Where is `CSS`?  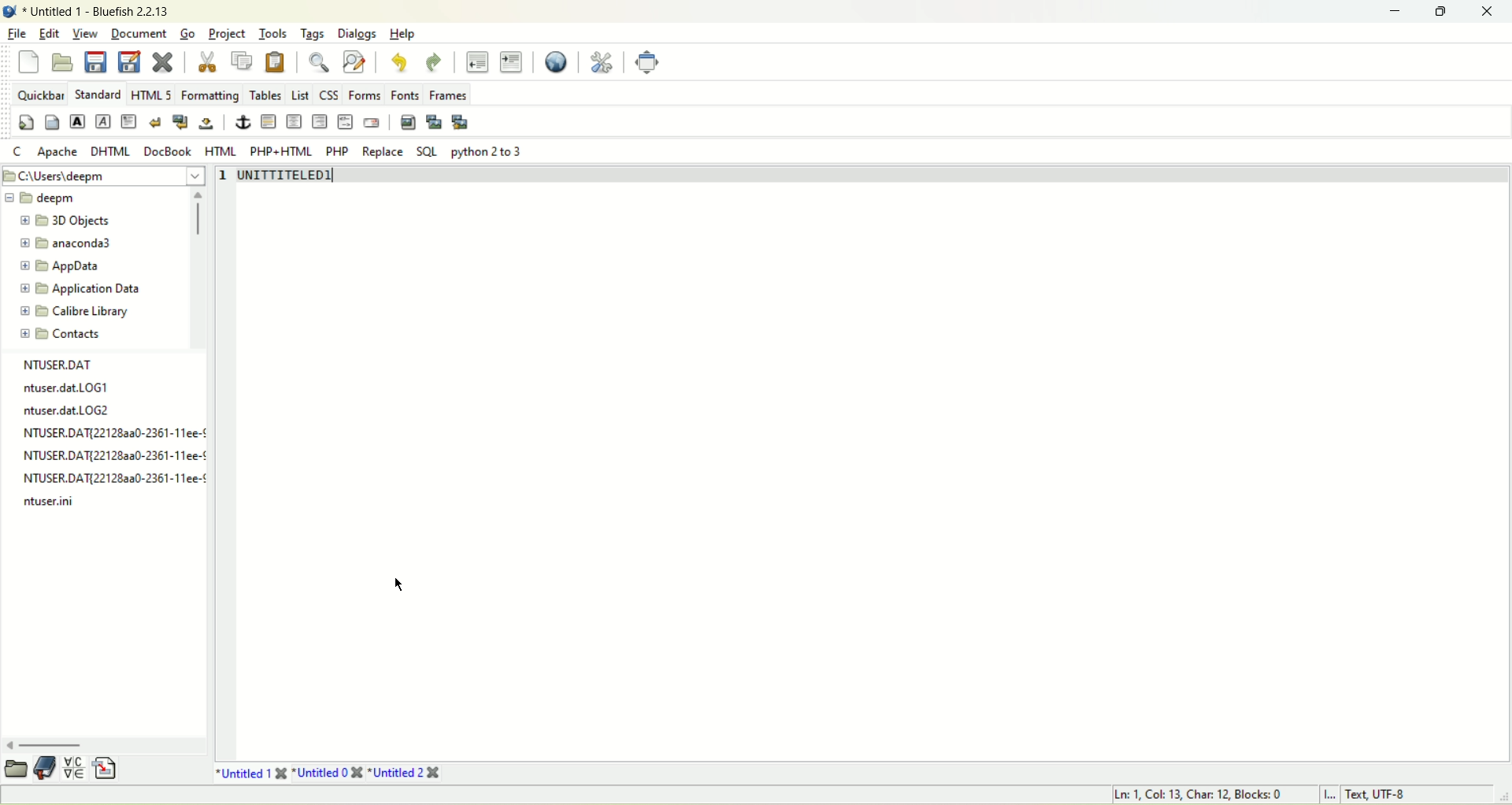
CSS is located at coordinates (331, 93).